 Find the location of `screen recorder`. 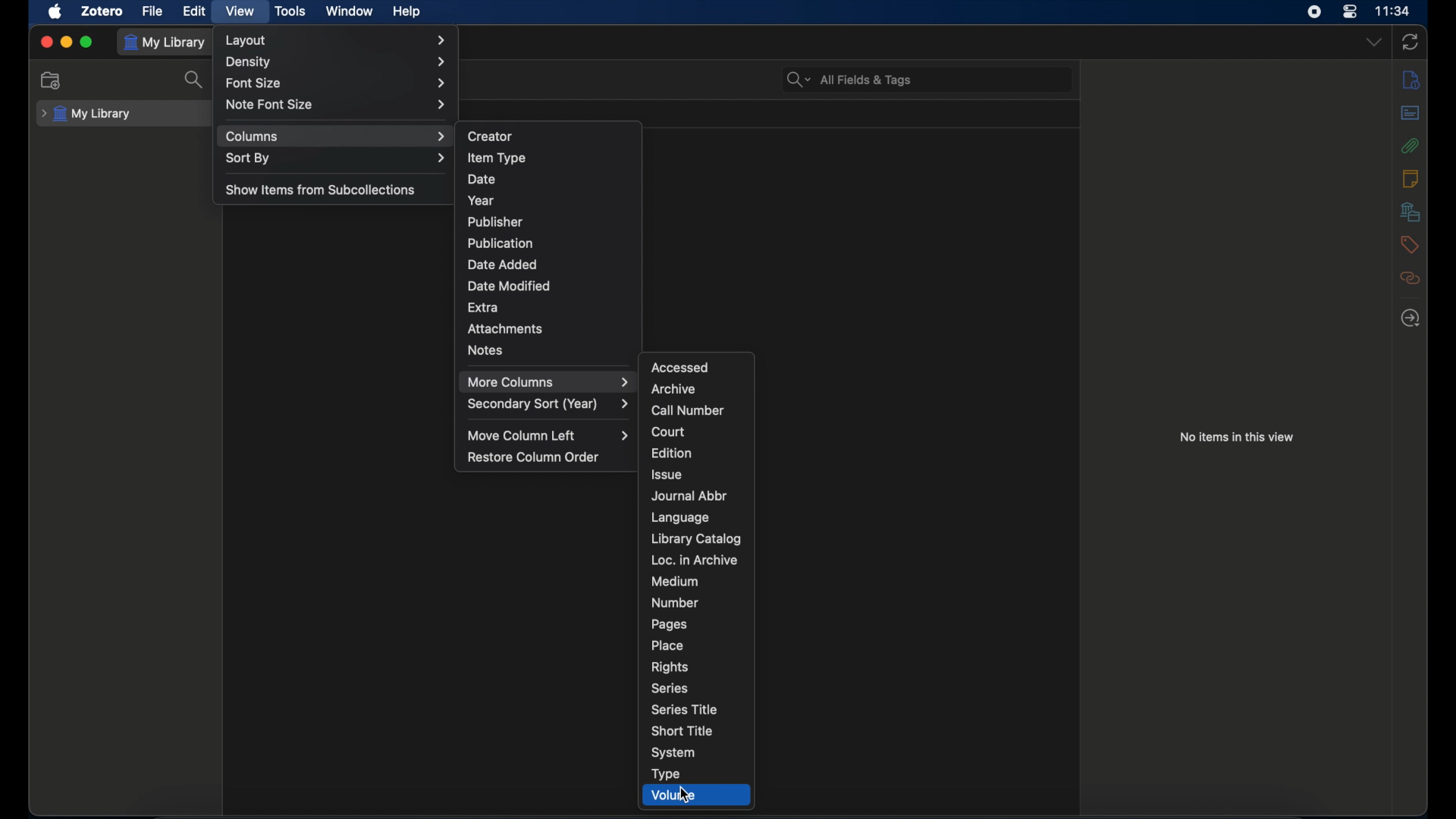

screen recorder is located at coordinates (1314, 12).